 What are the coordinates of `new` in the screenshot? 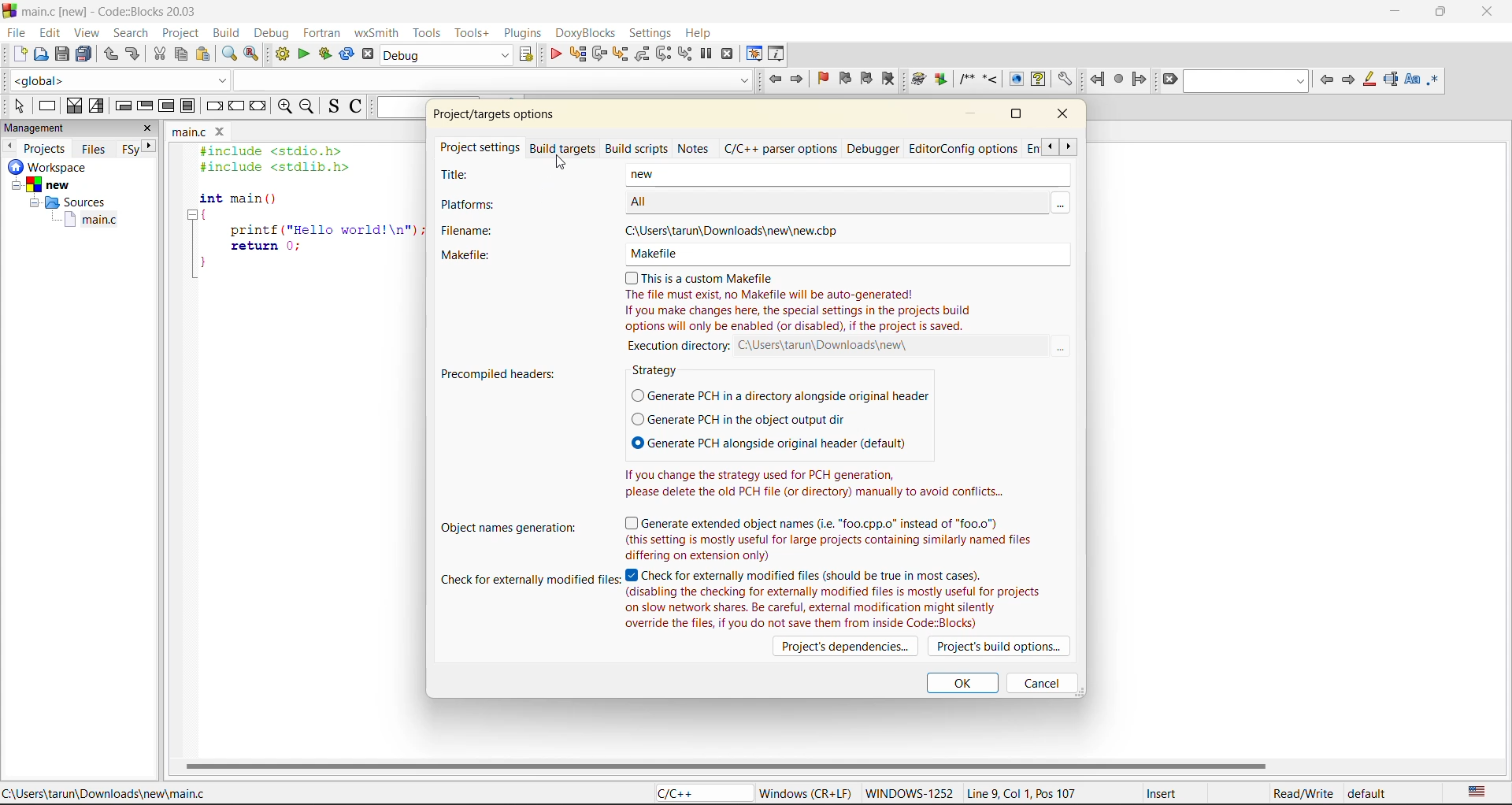 It's located at (19, 54).